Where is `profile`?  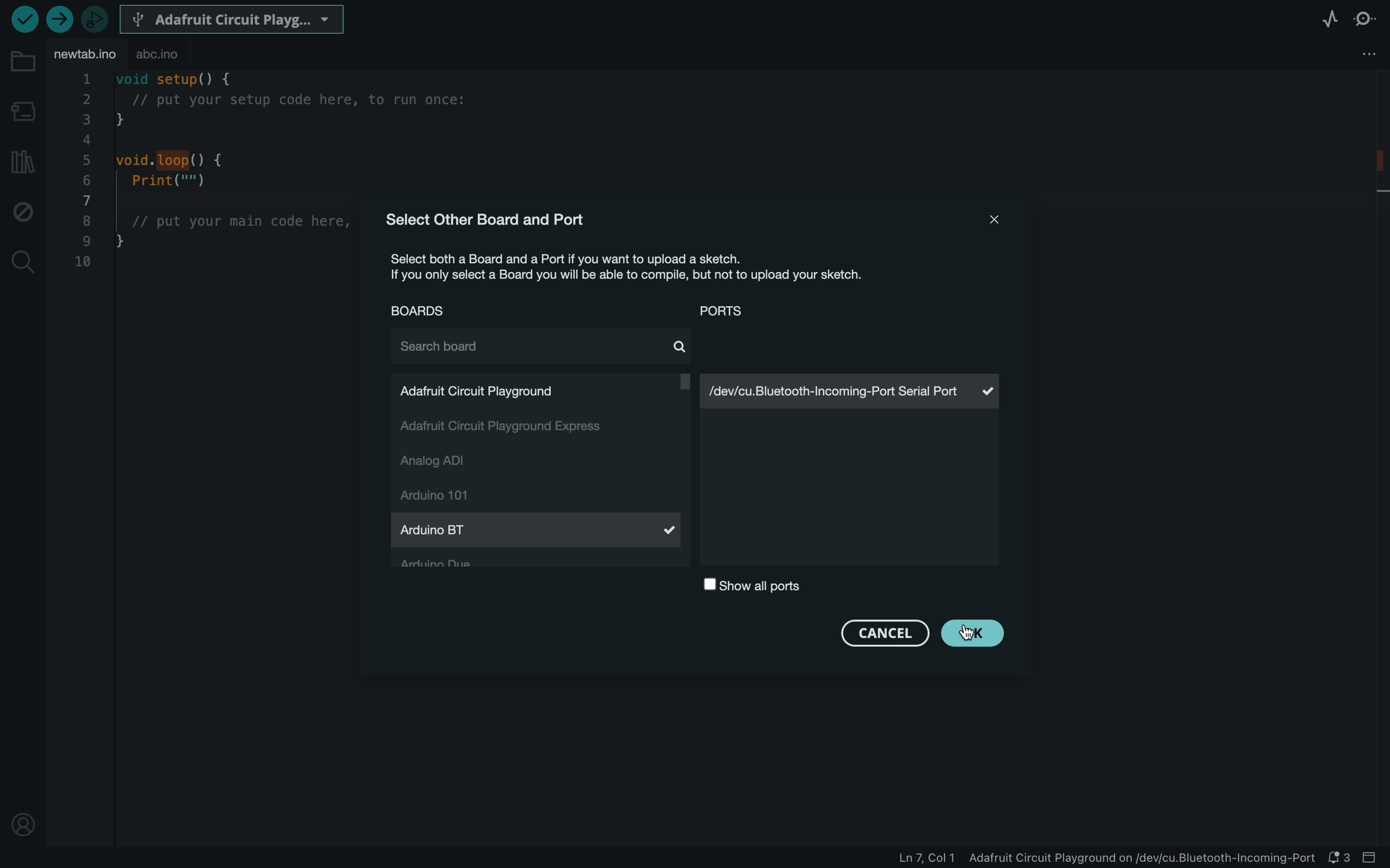
profile is located at coordinates (26, 824).